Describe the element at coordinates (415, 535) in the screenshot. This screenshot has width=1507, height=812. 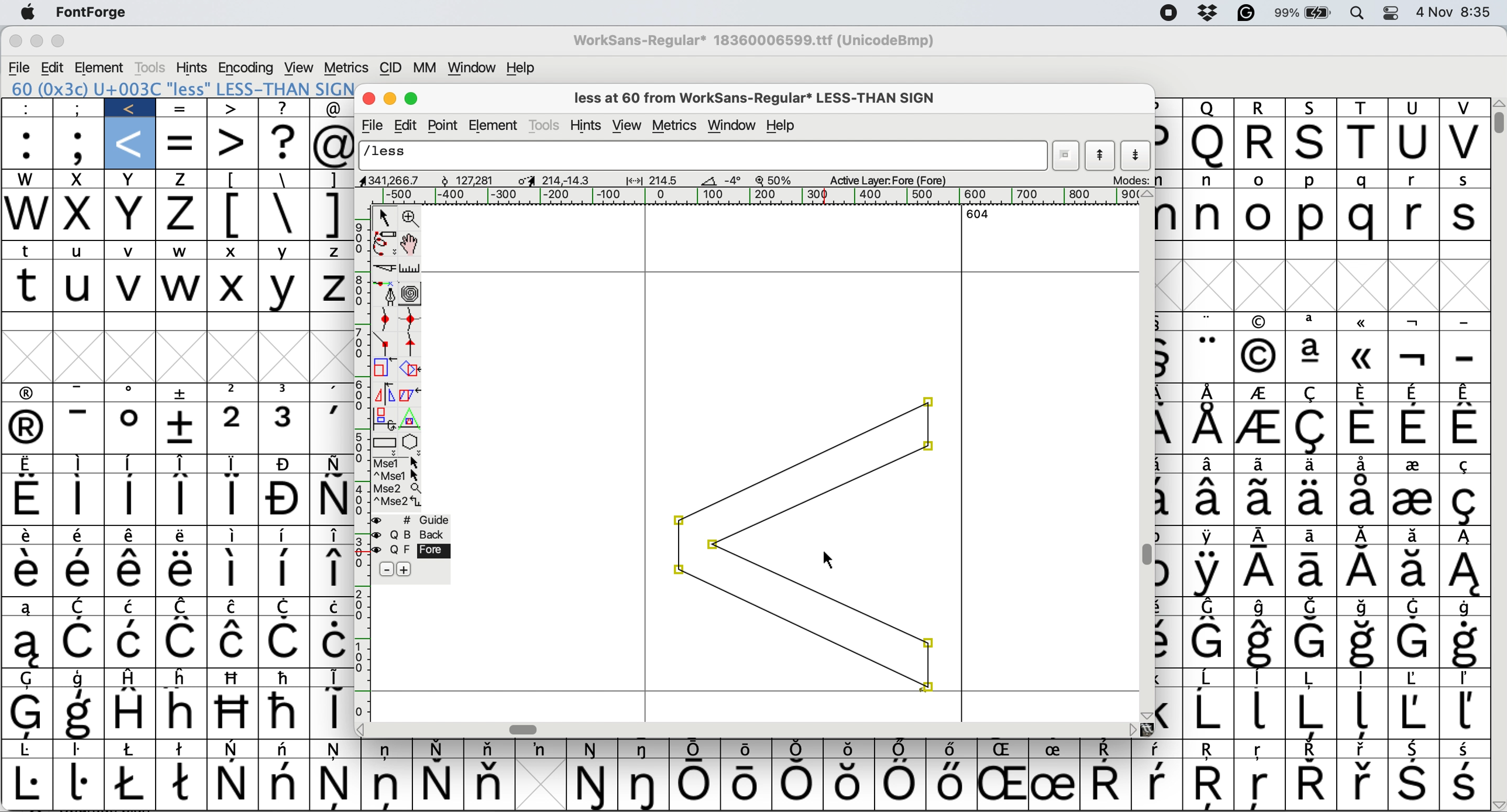
I see `back` at that location.